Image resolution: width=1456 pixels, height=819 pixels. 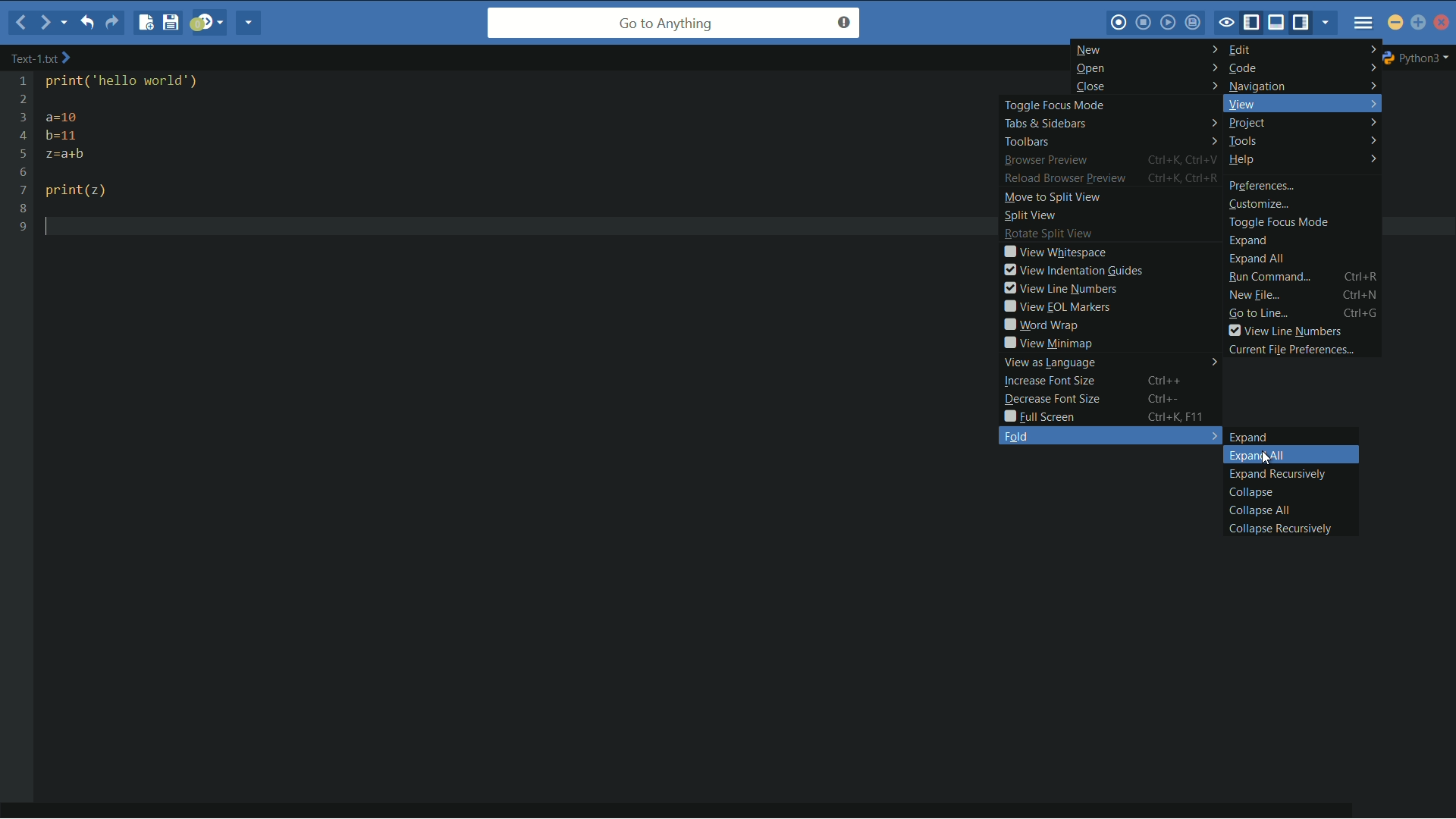 I want to click on minimize, so click(x=1396, y=24).